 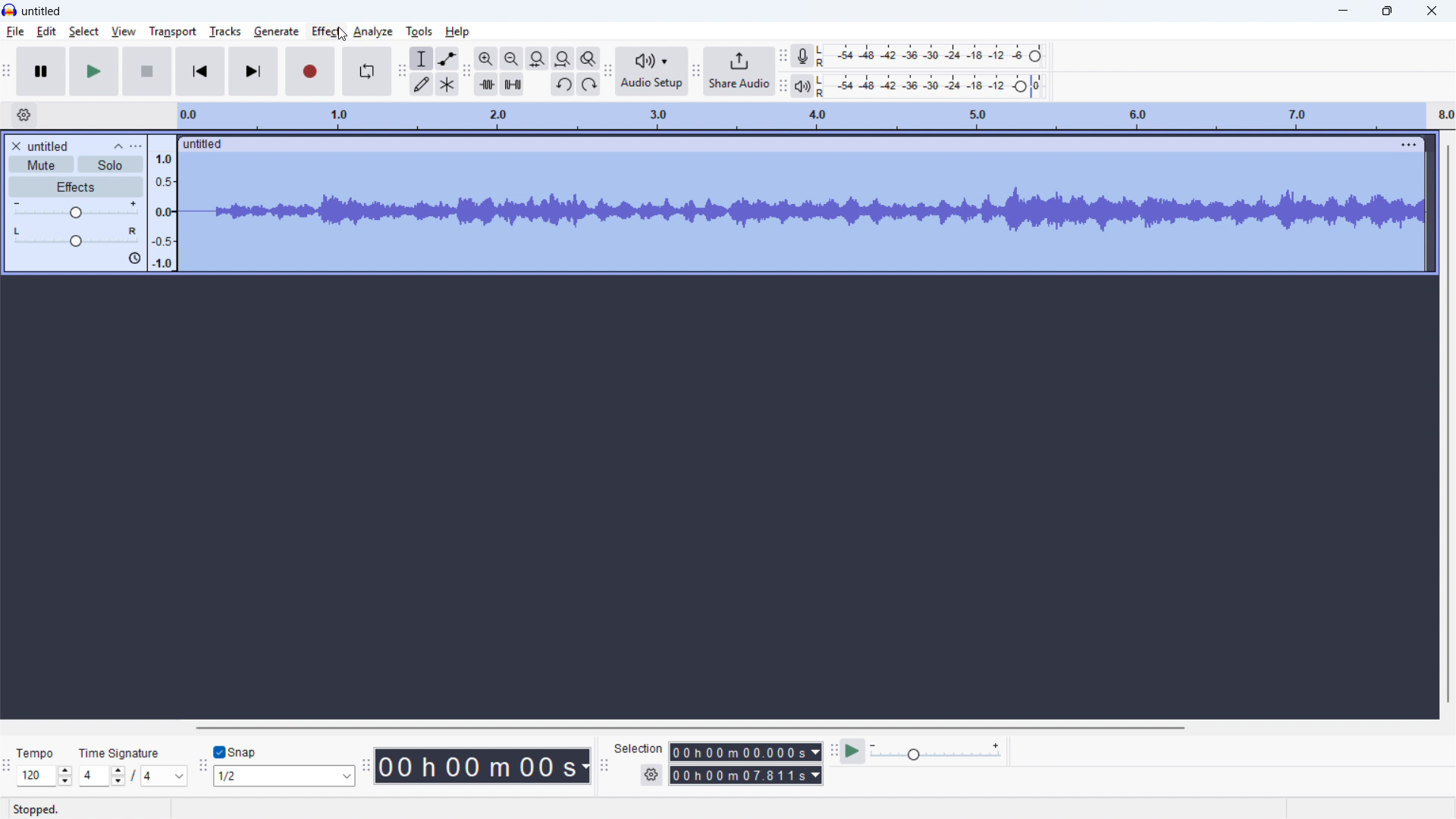 I want to click on enable looping, so click(x=367, y=71).